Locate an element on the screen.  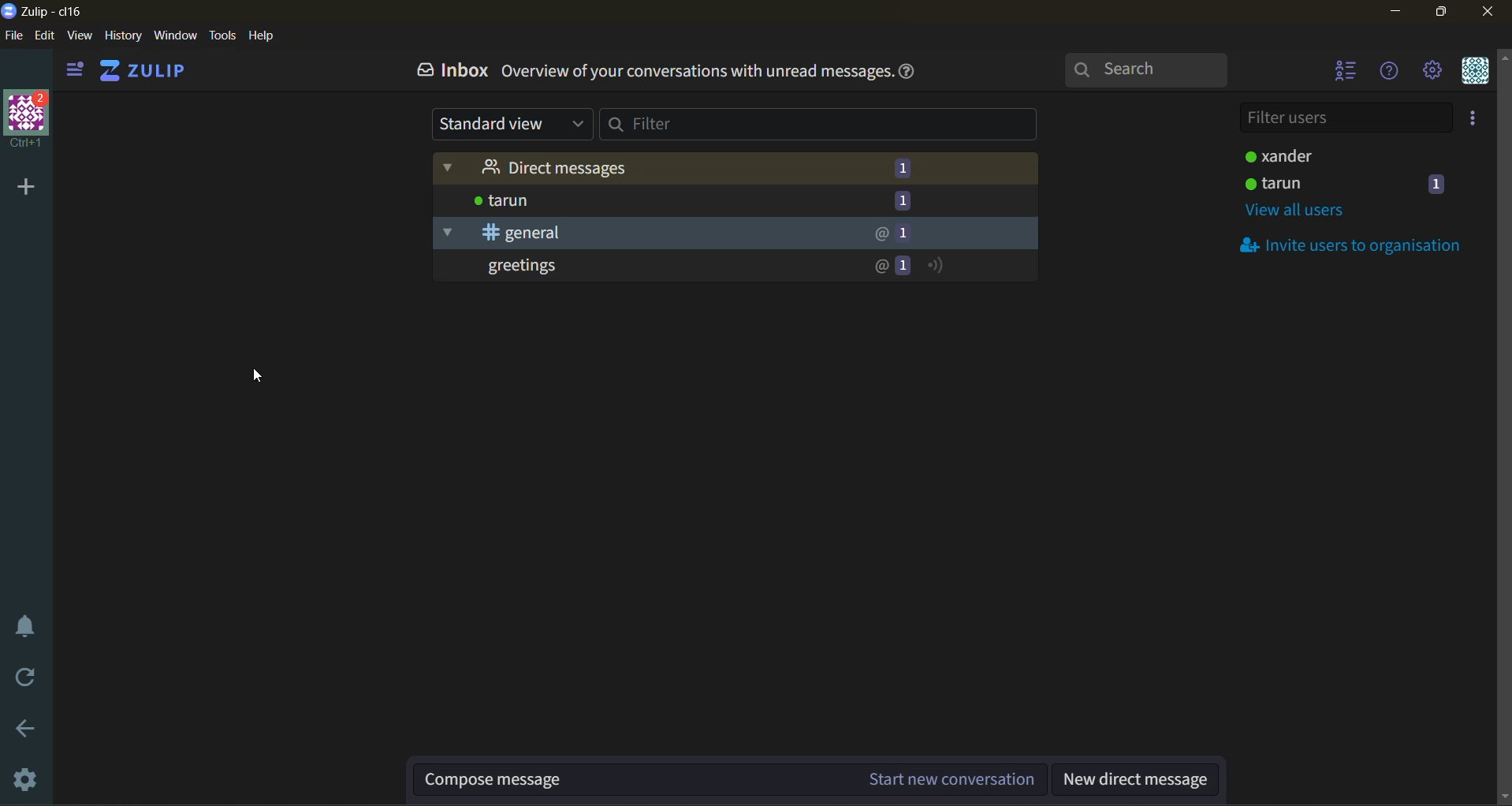
history is located at coordinates (121, 37).